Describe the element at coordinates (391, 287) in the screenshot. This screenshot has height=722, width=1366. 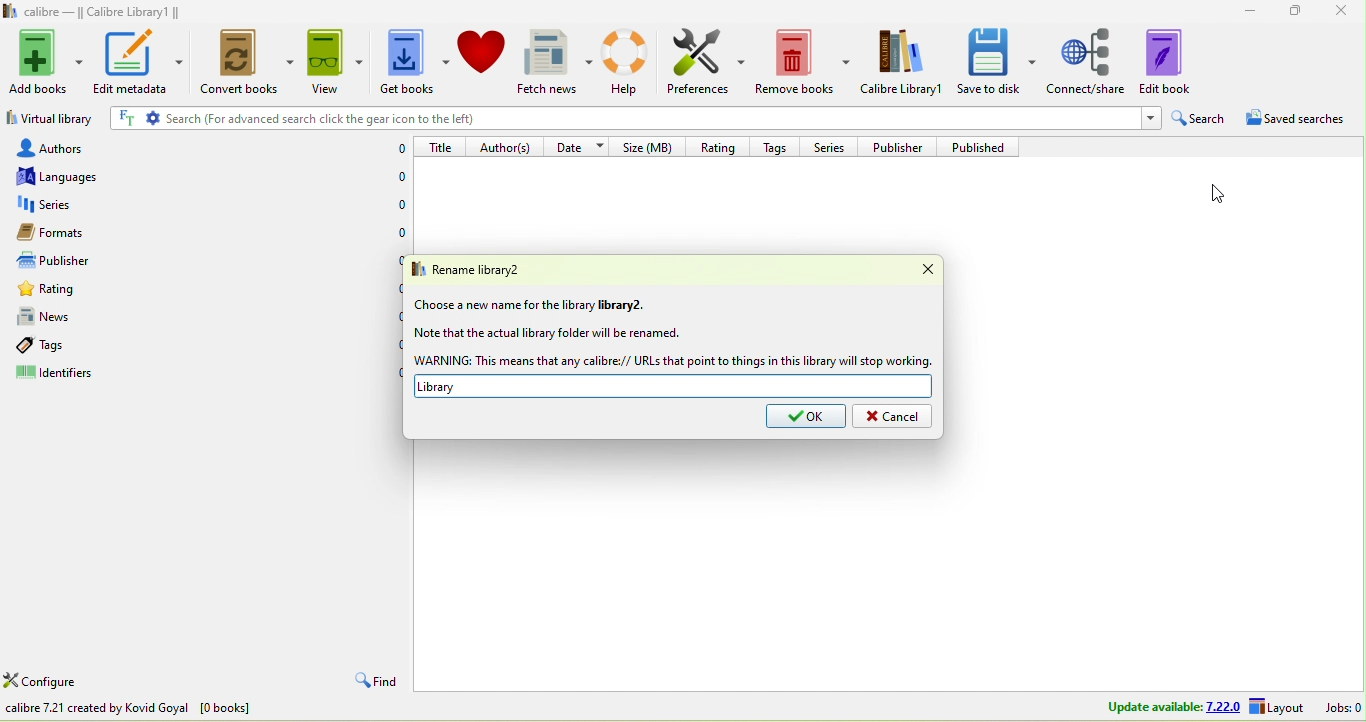
I see `0` at that location.